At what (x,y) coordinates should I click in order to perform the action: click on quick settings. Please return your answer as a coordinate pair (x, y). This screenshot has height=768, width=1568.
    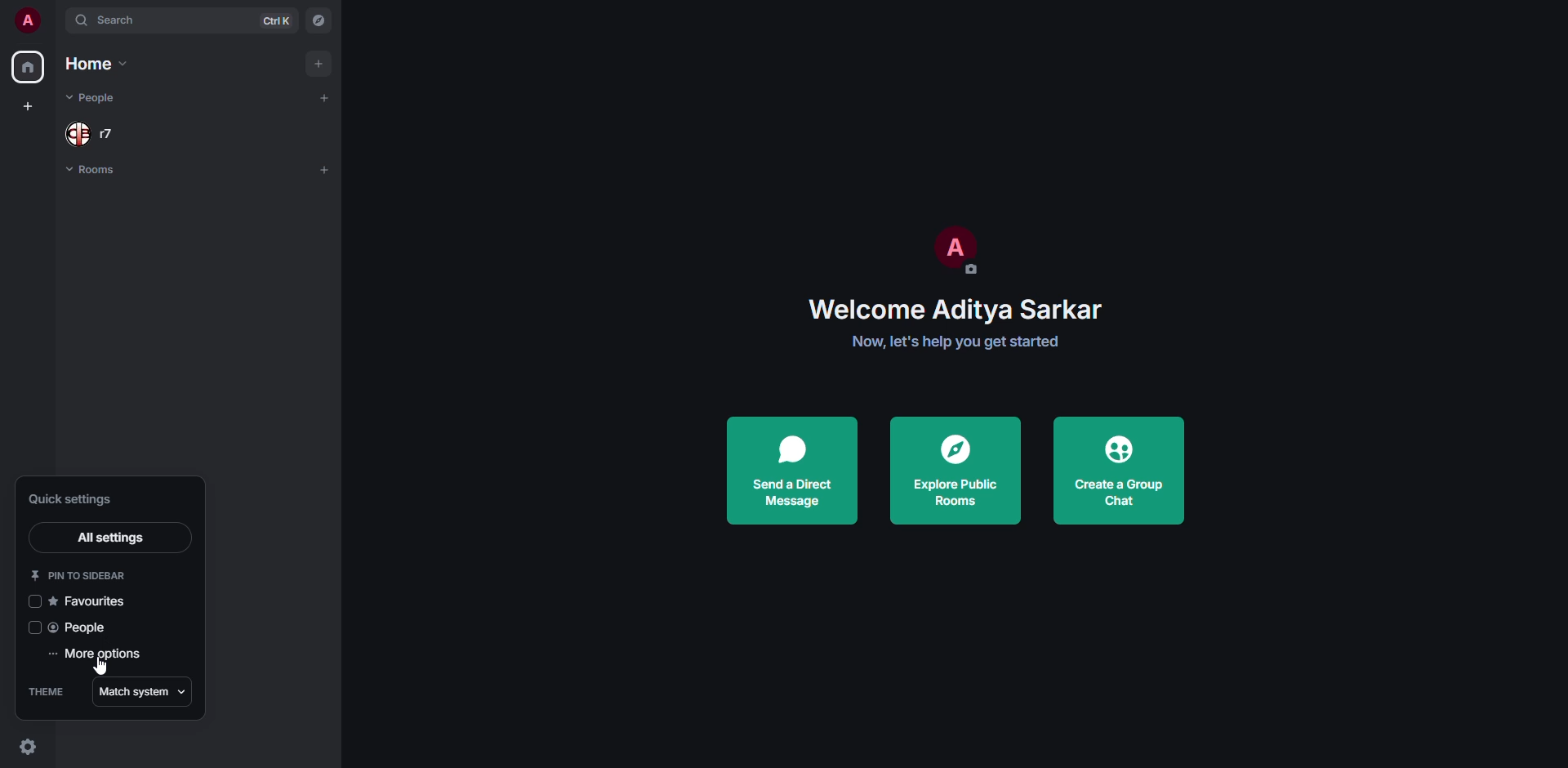
    Looking at the image, I should click on (80, 498).